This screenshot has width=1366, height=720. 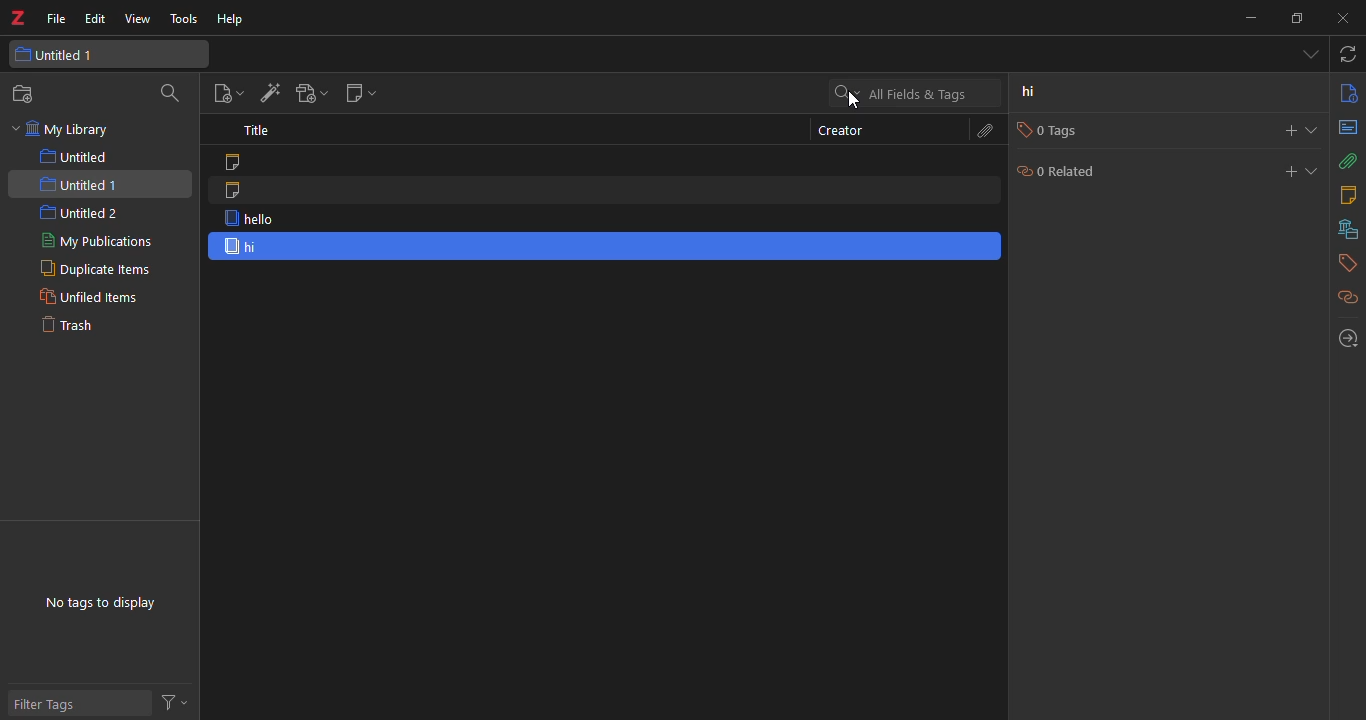 I want to click on untitled 1, so click(x=82, y=184).